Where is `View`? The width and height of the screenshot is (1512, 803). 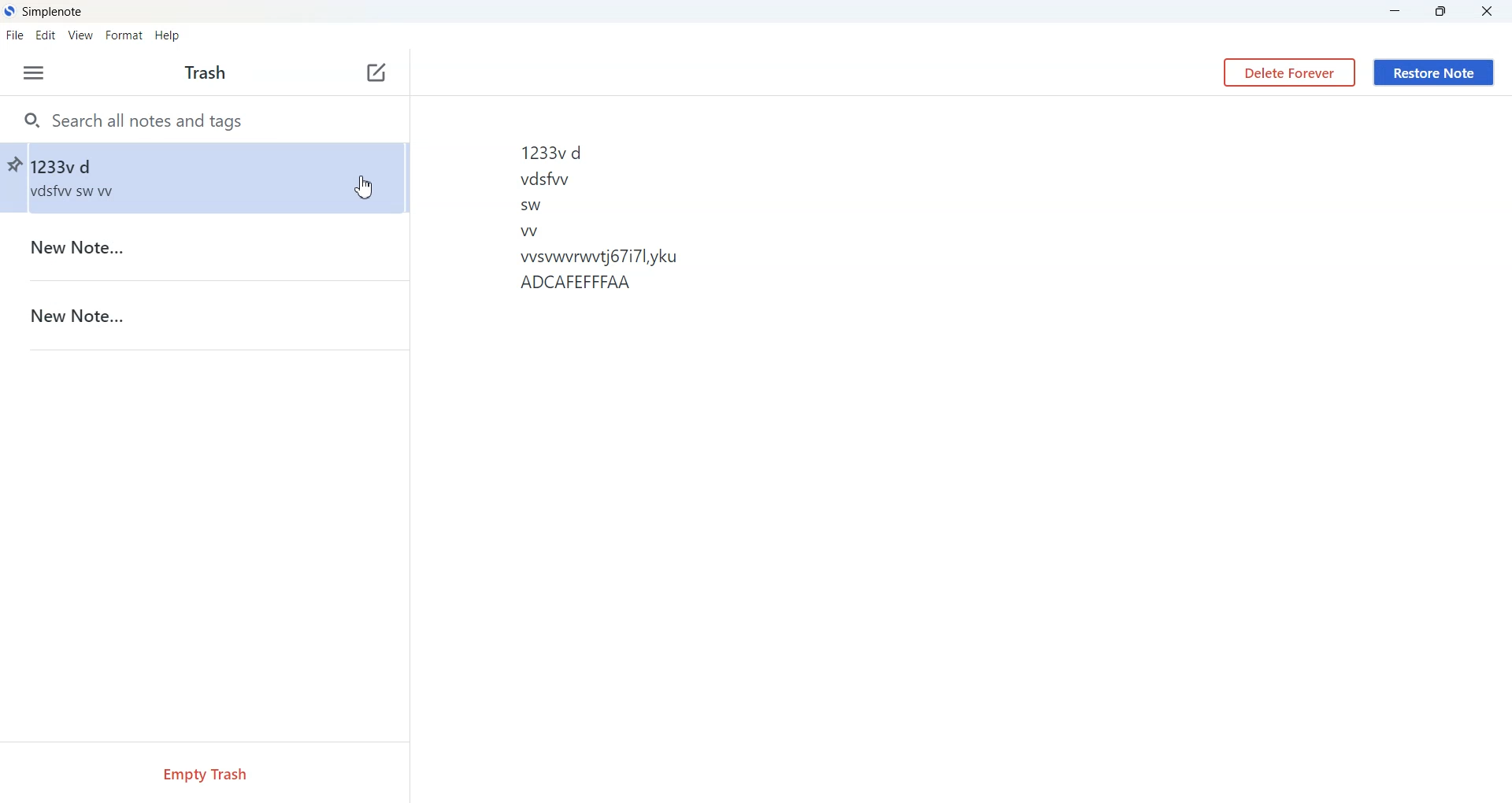 View is located at coordinates (80, 34).